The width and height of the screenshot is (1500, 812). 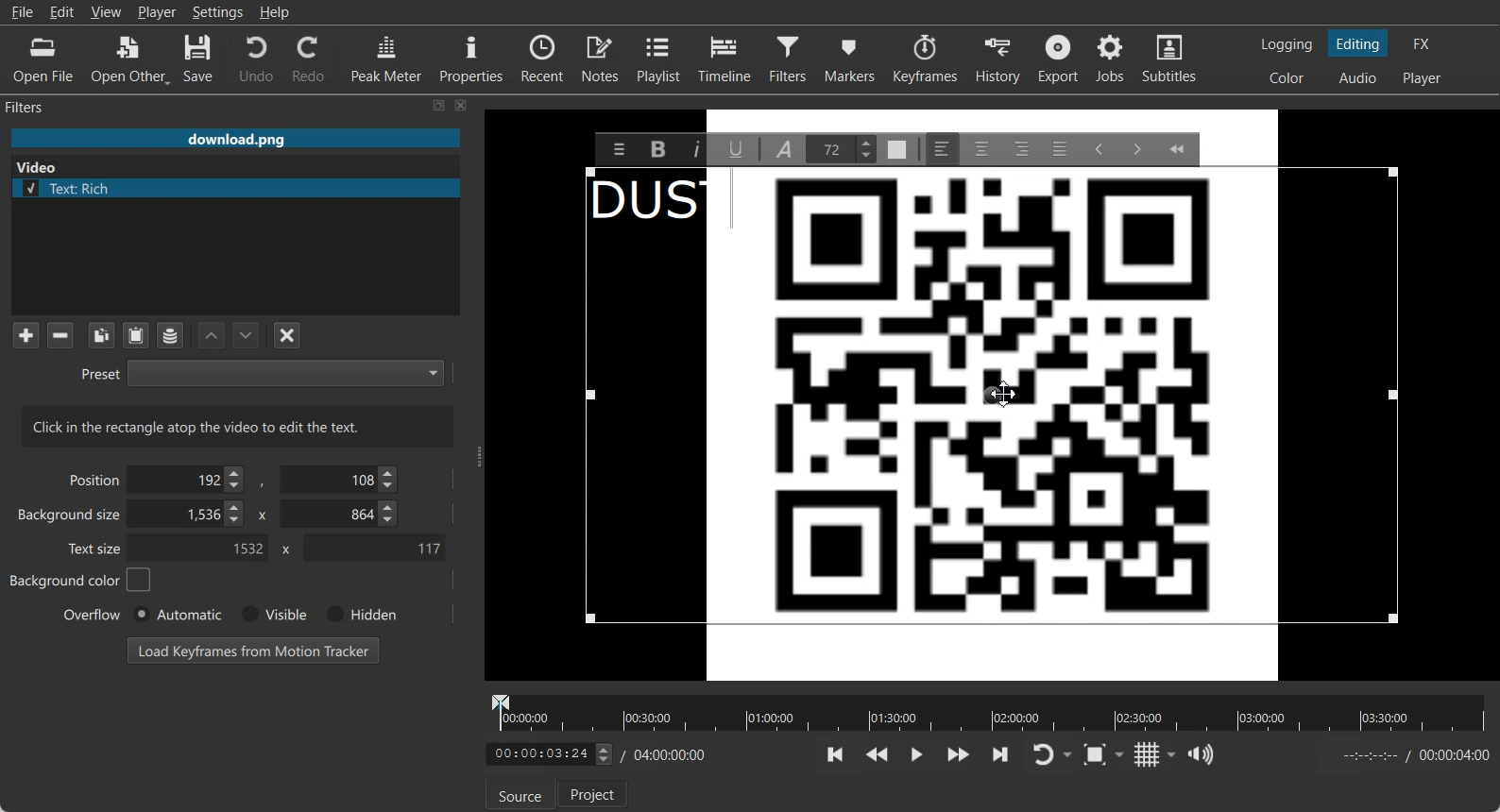 What do you see at coordinates (1176, 148) in the screenshot?
I see `Collapse Toolbar` at bounding box center [1176, 148].